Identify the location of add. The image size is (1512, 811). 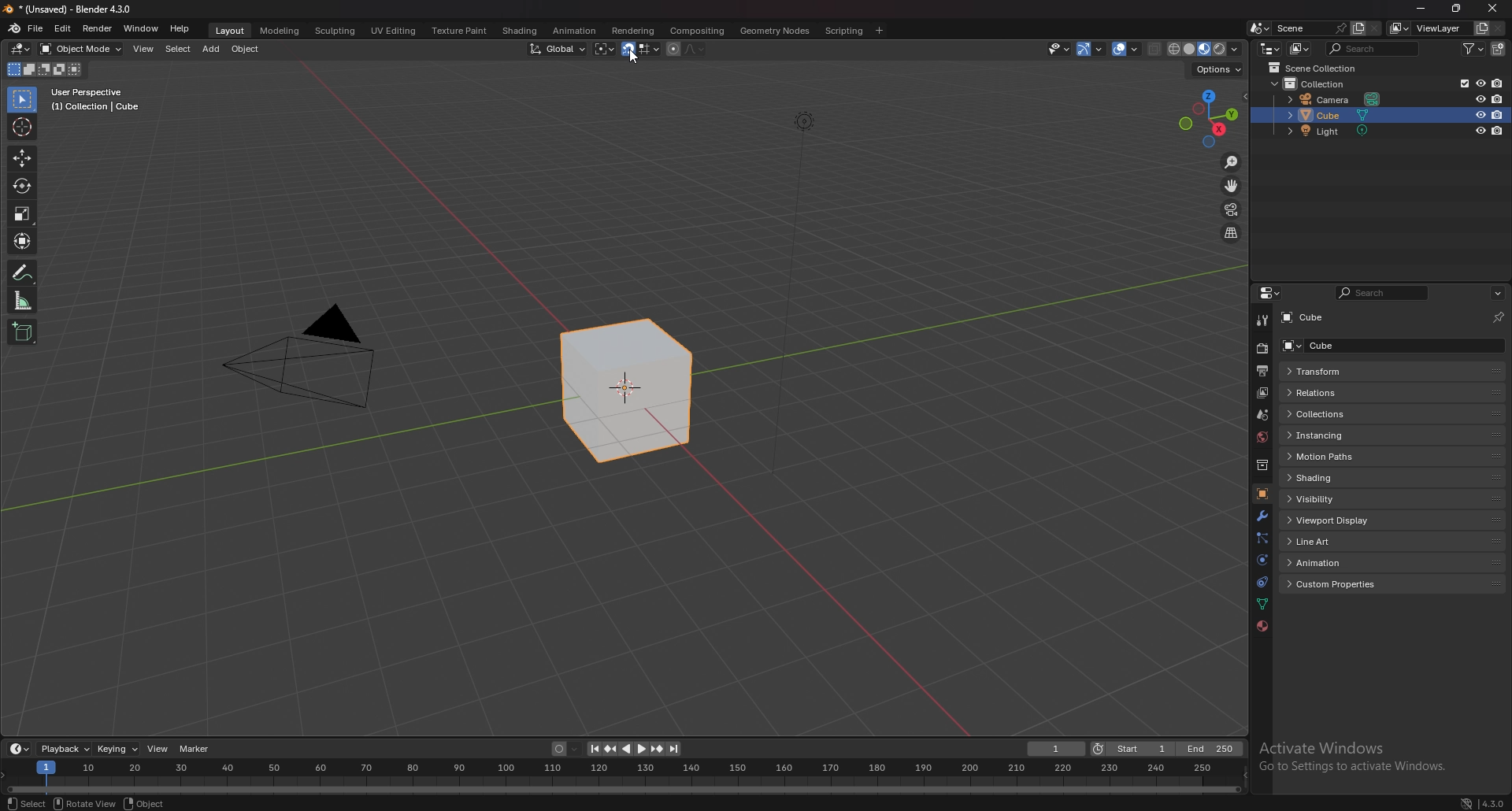
(210, 49).